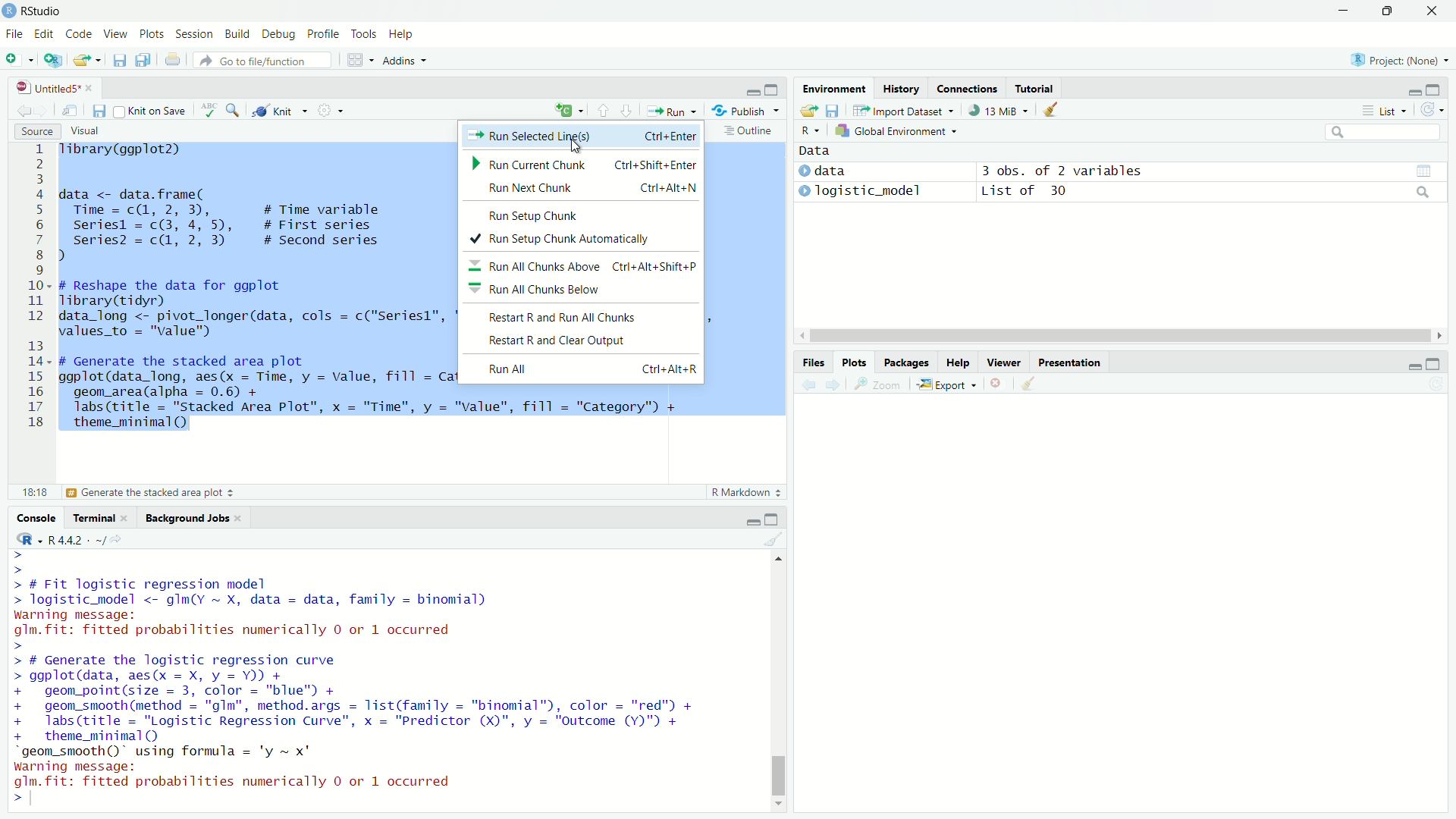 The image size is (1456, 819). Describe the element at coordinates (1393, 12) in the screenshot. I see `maximise` at that location.